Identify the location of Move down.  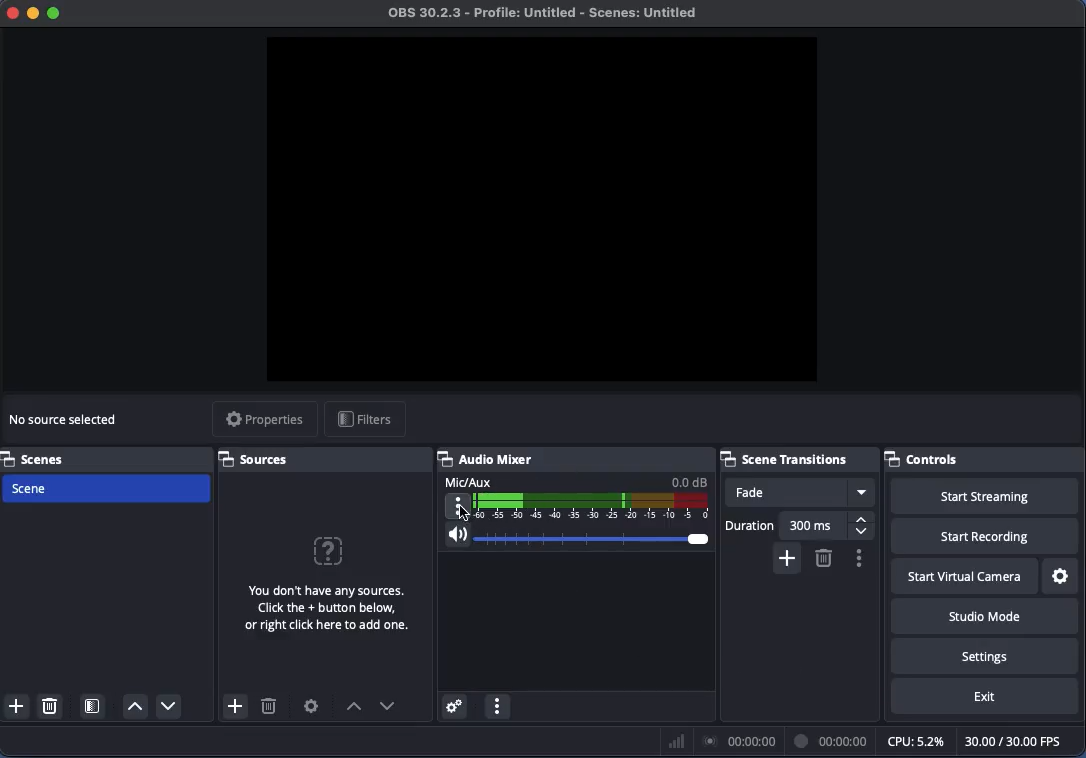
(167, 705).